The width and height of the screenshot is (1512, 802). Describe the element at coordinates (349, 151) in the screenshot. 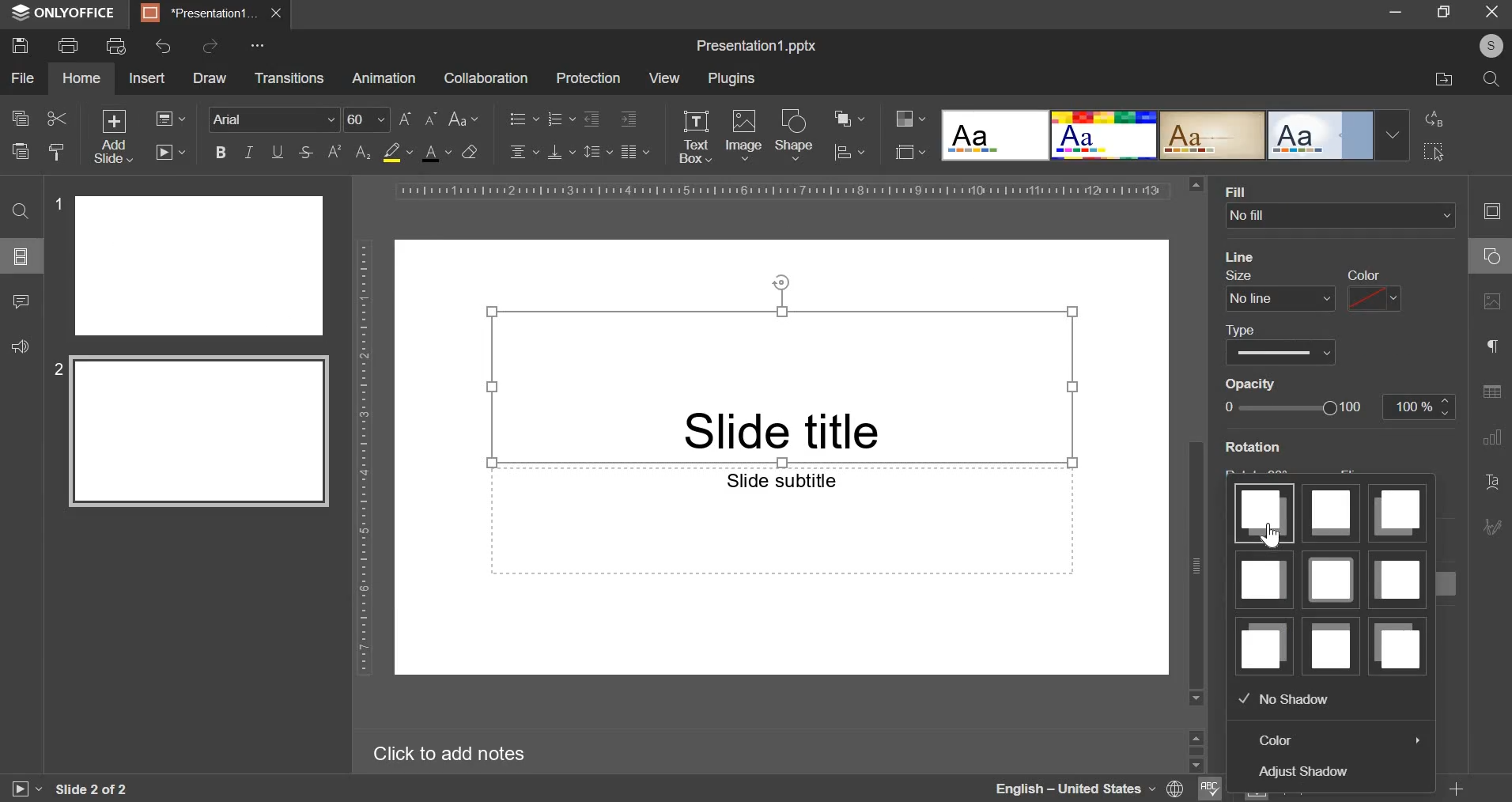

I see `subscript & superscript` at that location.